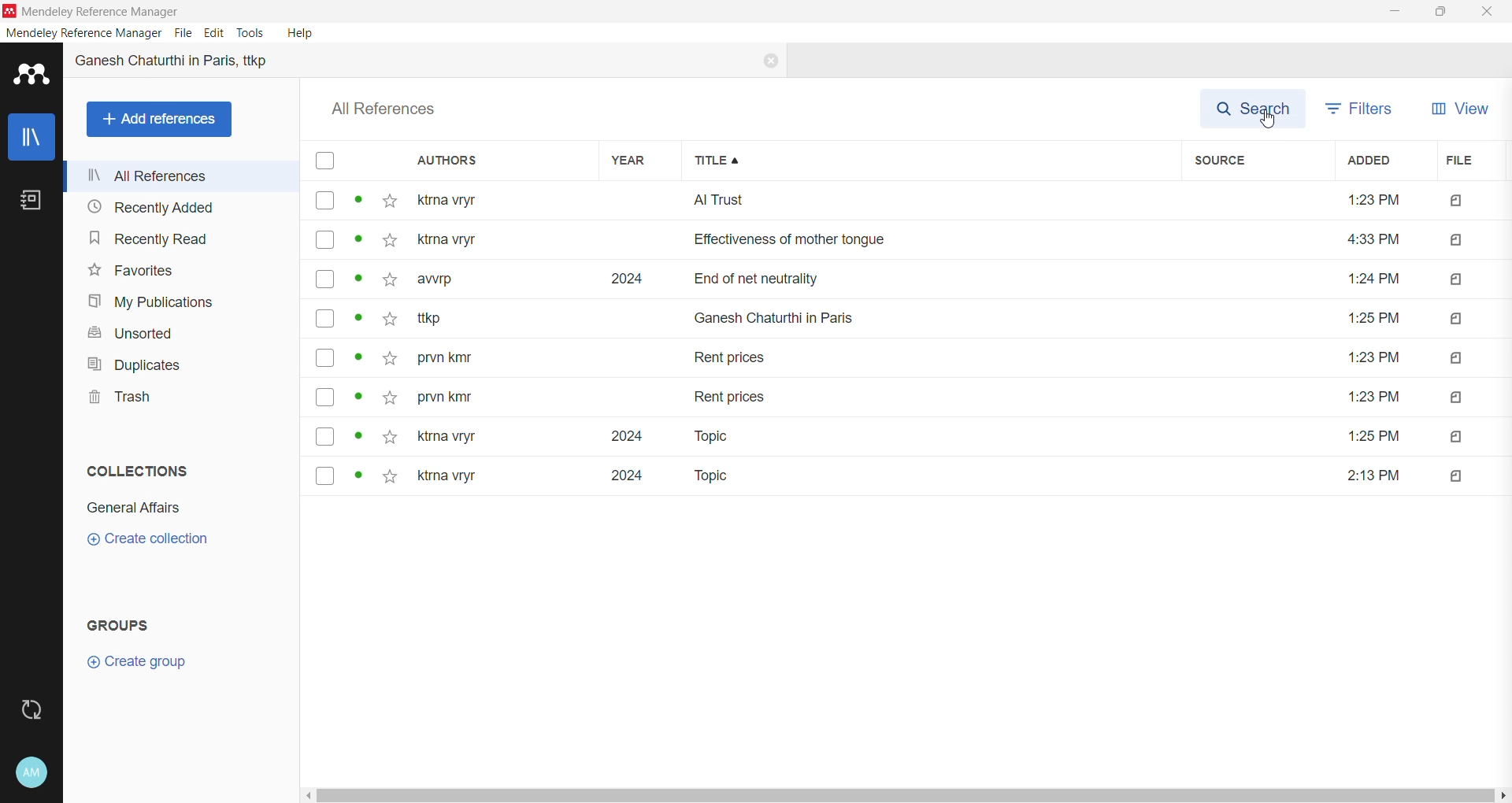  What do you see at coordinates (149, 206) in the screenshot?
I see `Recently Added` at bounding box center [149, 206].